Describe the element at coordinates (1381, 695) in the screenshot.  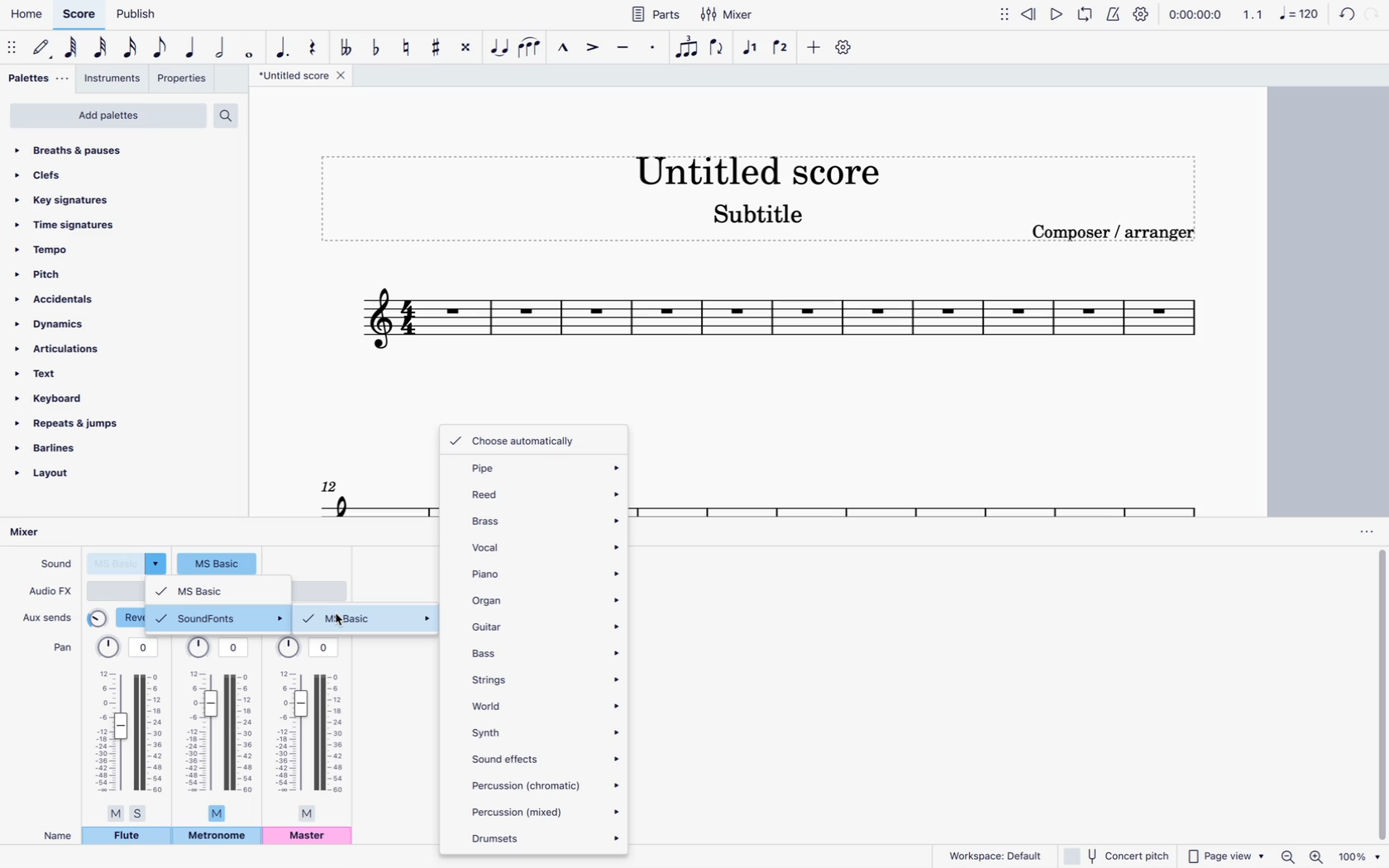
I see `vertical scrollbar` at that location.